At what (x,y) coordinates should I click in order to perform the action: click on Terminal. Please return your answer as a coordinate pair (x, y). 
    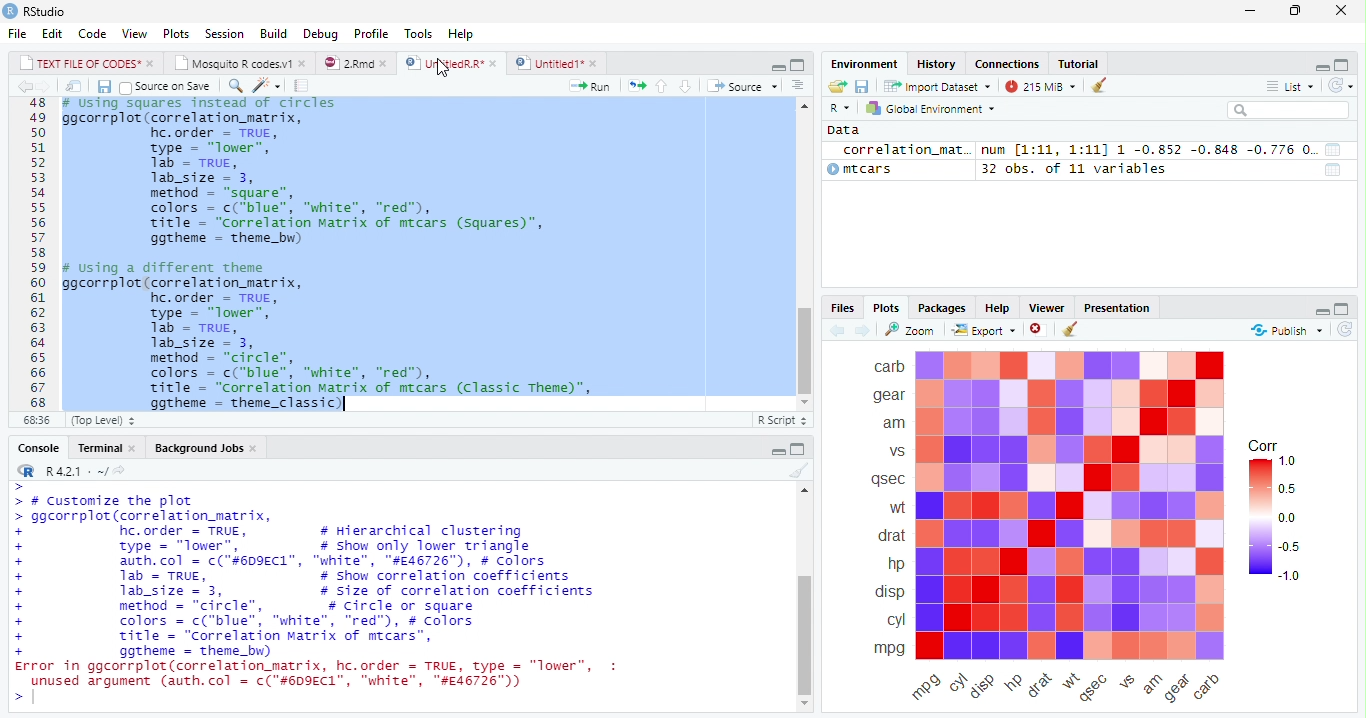
    Looking at the image, I should click on (105, 447).